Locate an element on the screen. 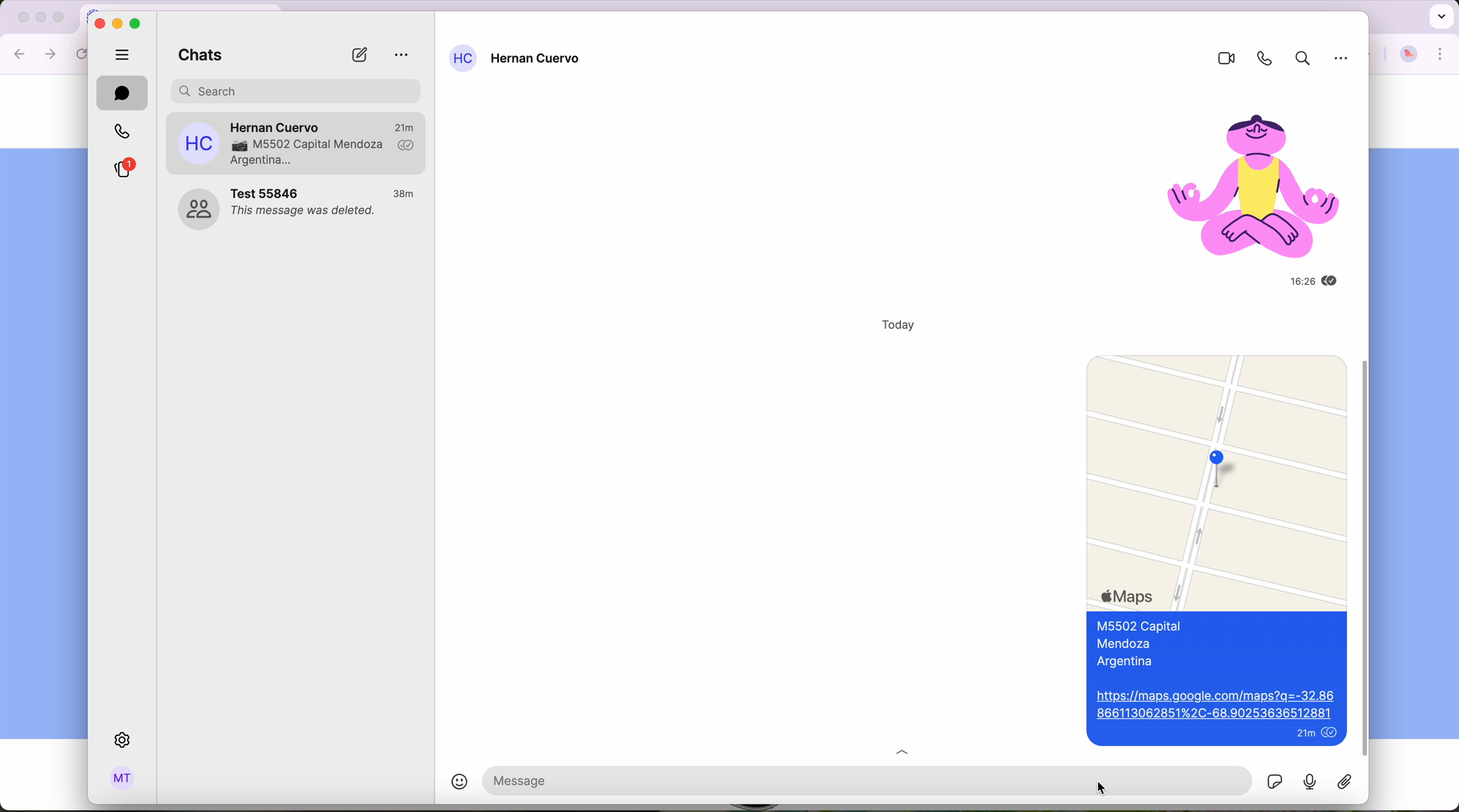  stories is located at coordinates (122, 169).